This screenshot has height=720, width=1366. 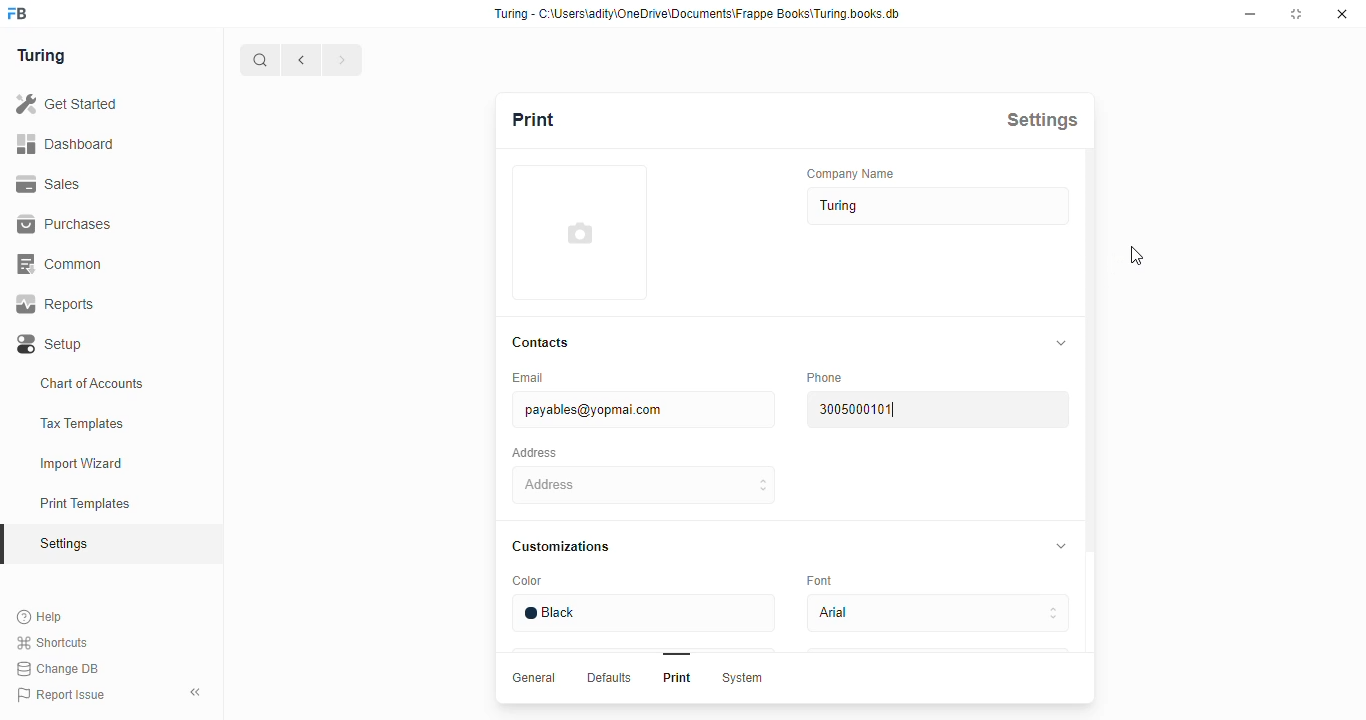 I want to click on ‘Customizations, so click(x=565, y=547).